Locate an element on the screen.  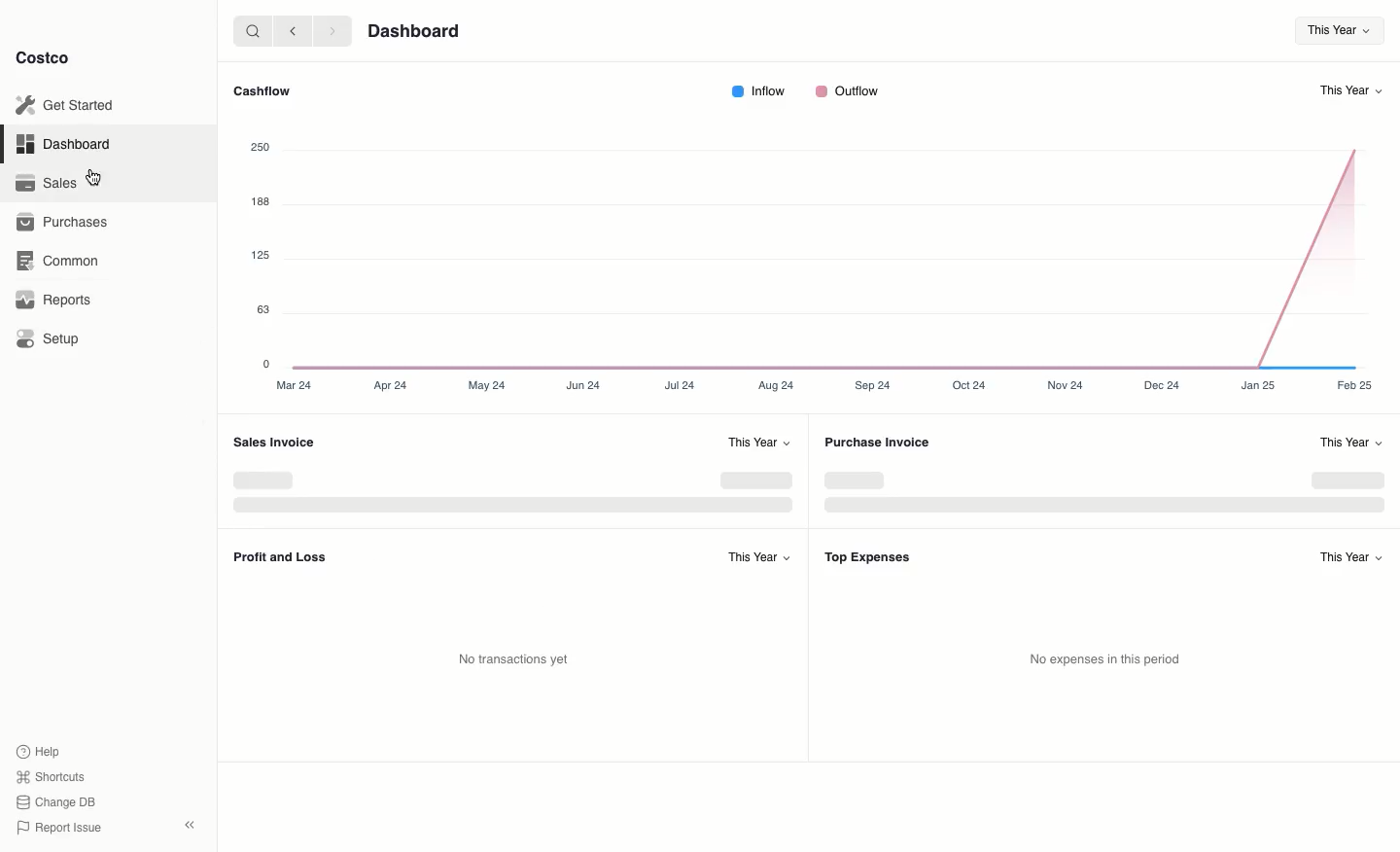
Top Expenses is located at coordinates (868, 557).